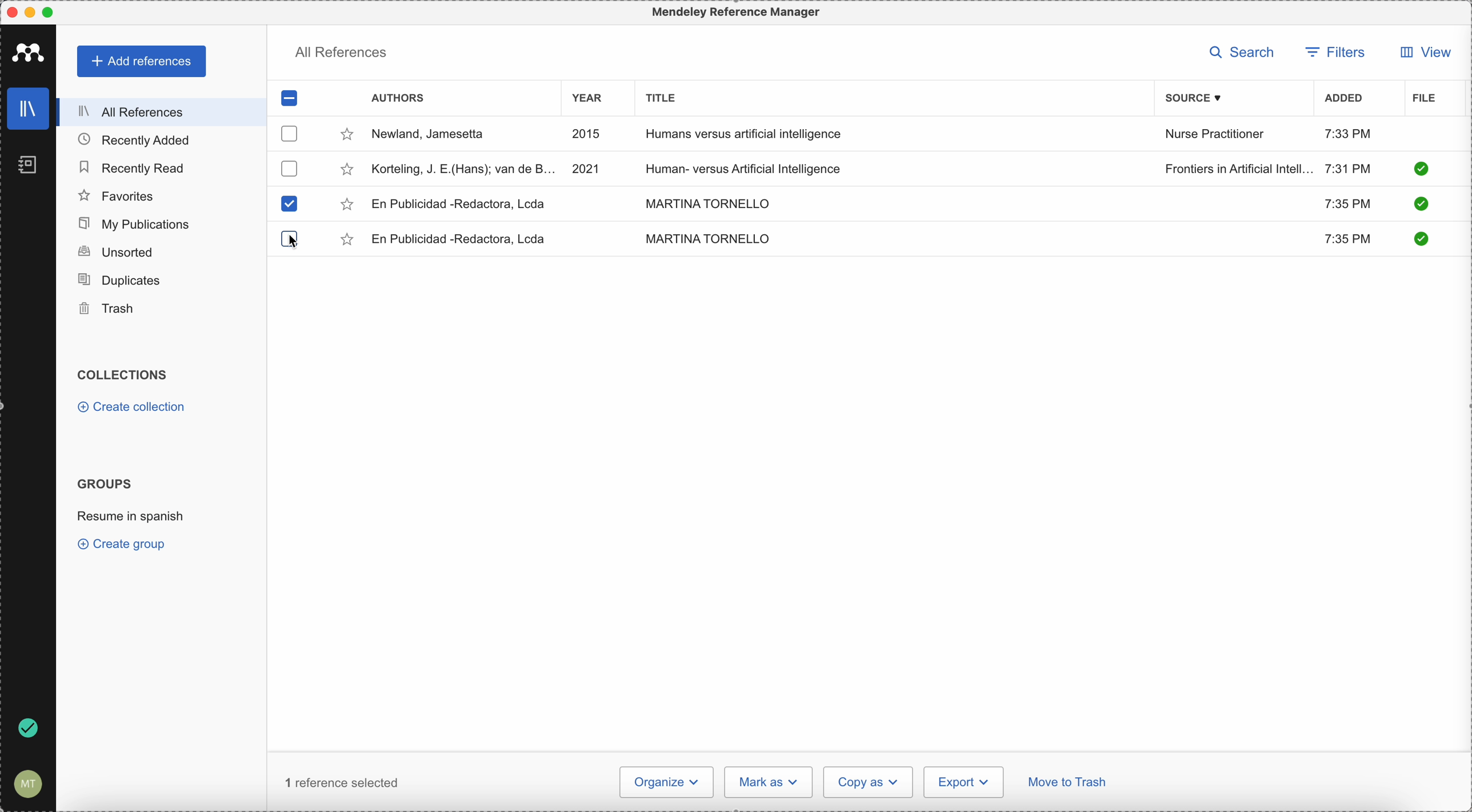 The image size is (1472, 812). What do you see at coordinates (1238, 169) in the screenshot?
I see `Frontiers in Artificial Intelligence` at bounding box center [1238, 169].